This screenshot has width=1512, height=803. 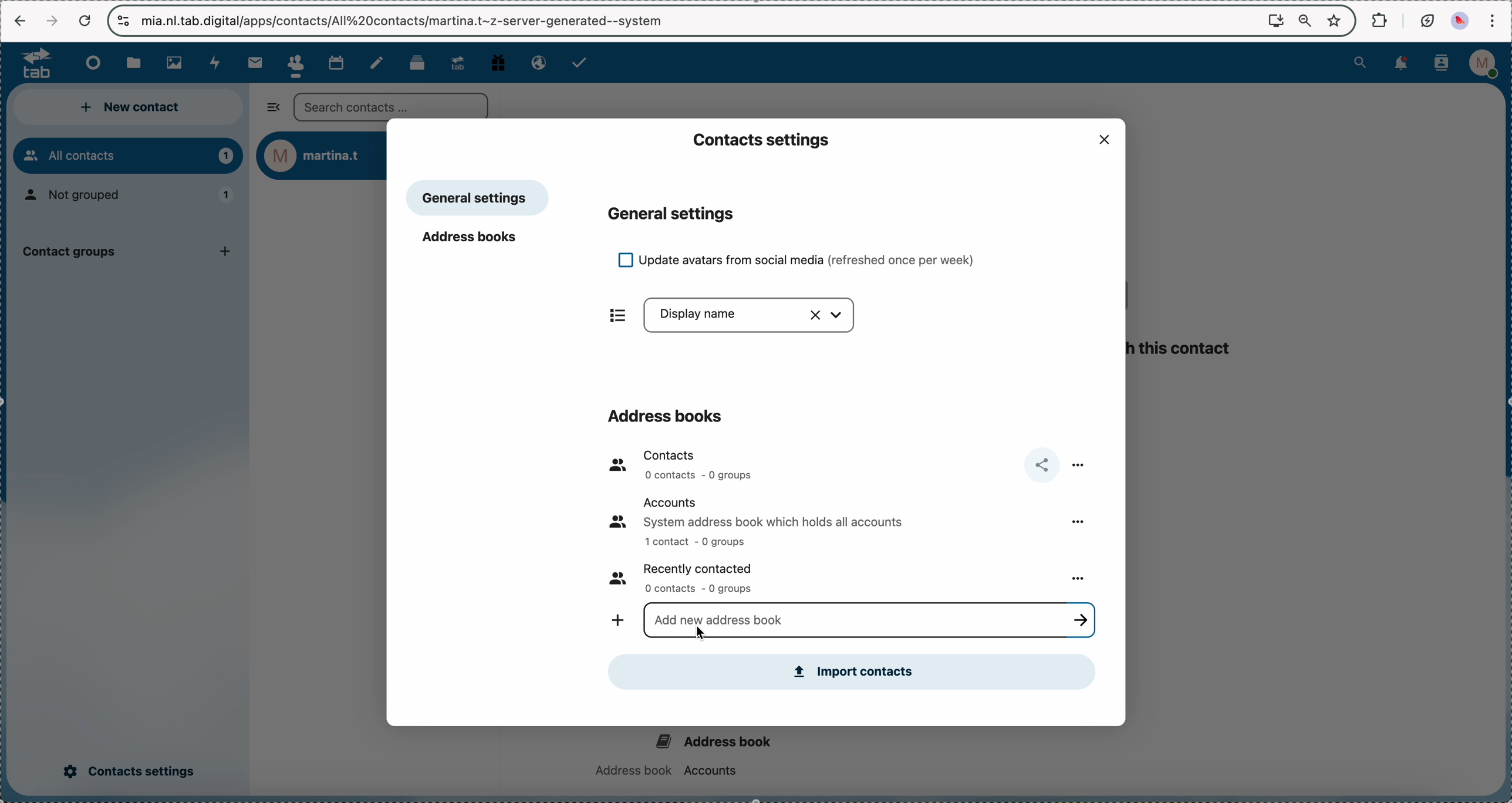 I want to click on search bar, so click(x=391, y=105).